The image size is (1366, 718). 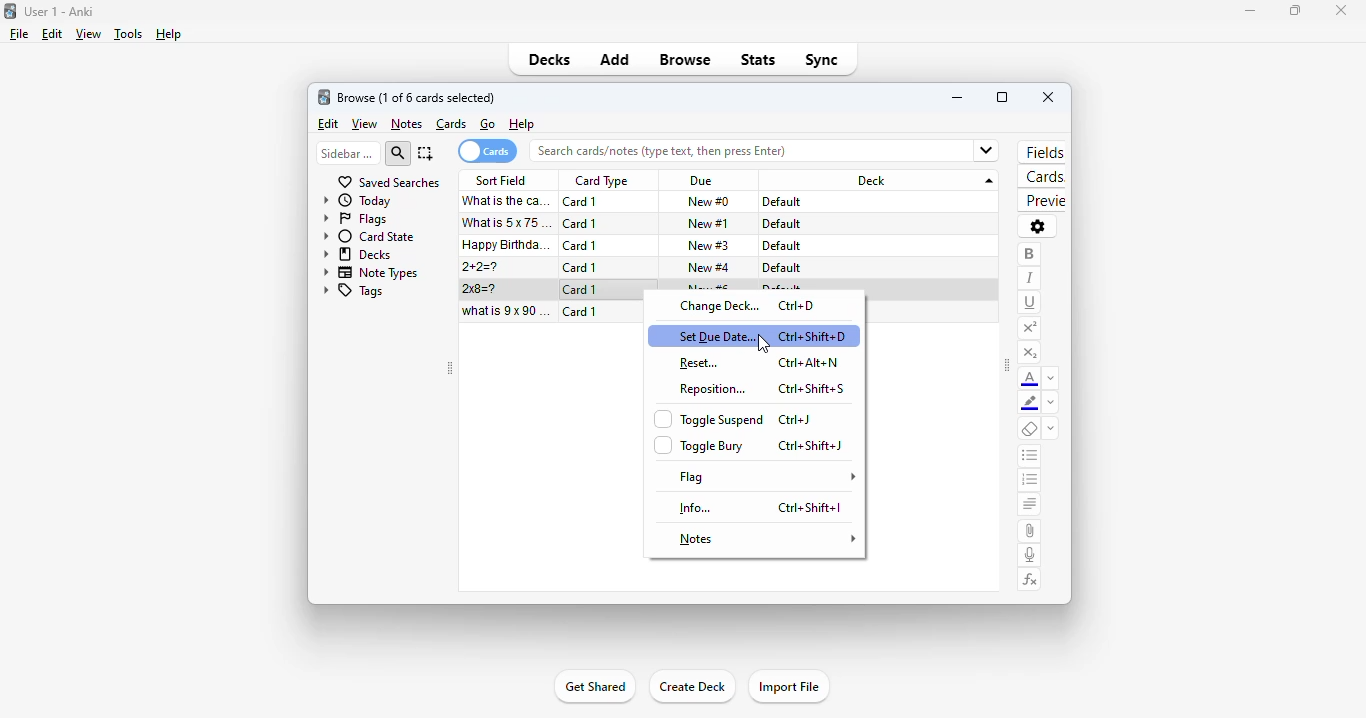 What do you see at coordinates (709, 267) in the screenshot?
I see `new #4` at bounding box center [709, 267].